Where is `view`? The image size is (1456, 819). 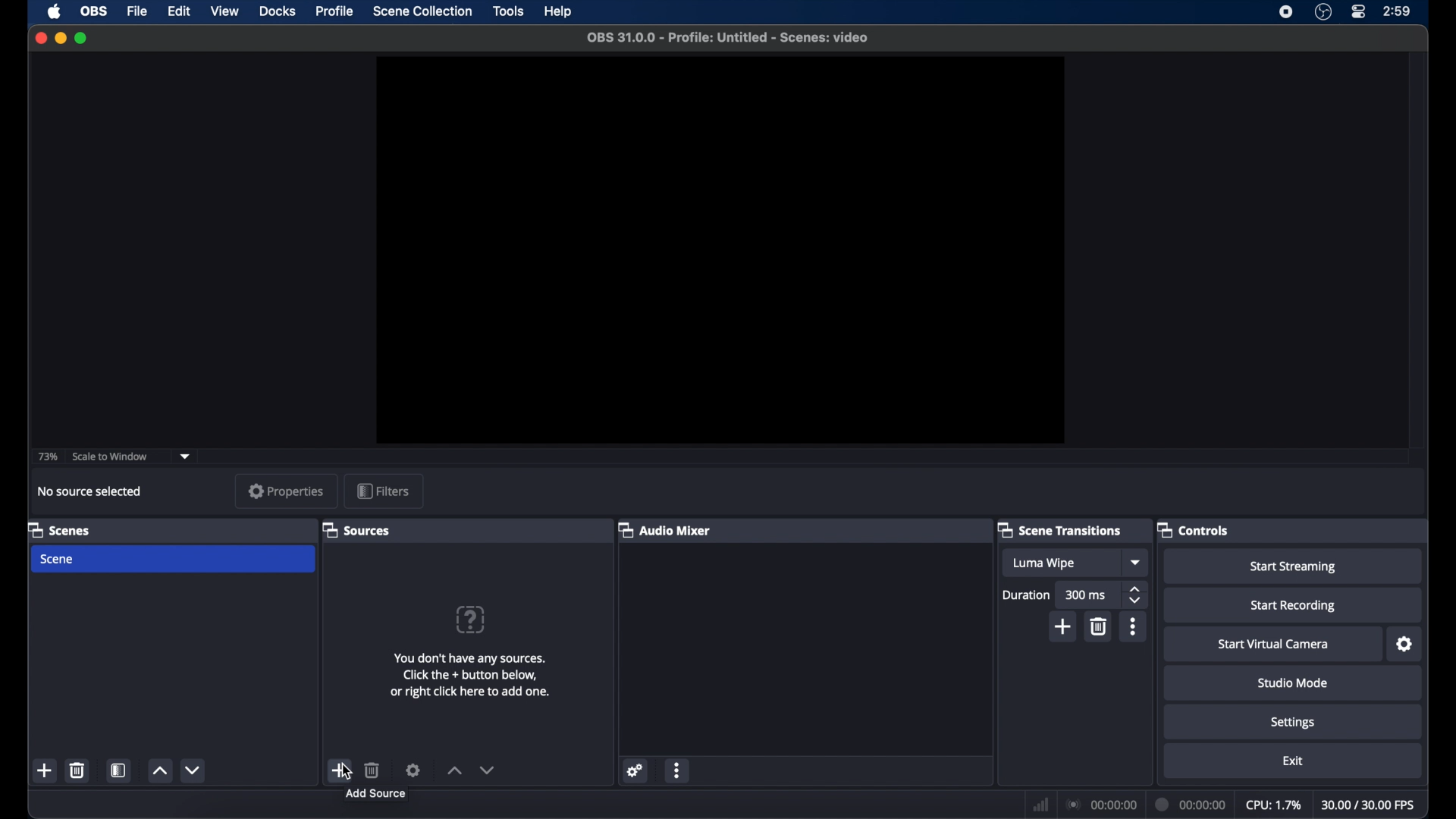 view is located at coordinates (224, 10).